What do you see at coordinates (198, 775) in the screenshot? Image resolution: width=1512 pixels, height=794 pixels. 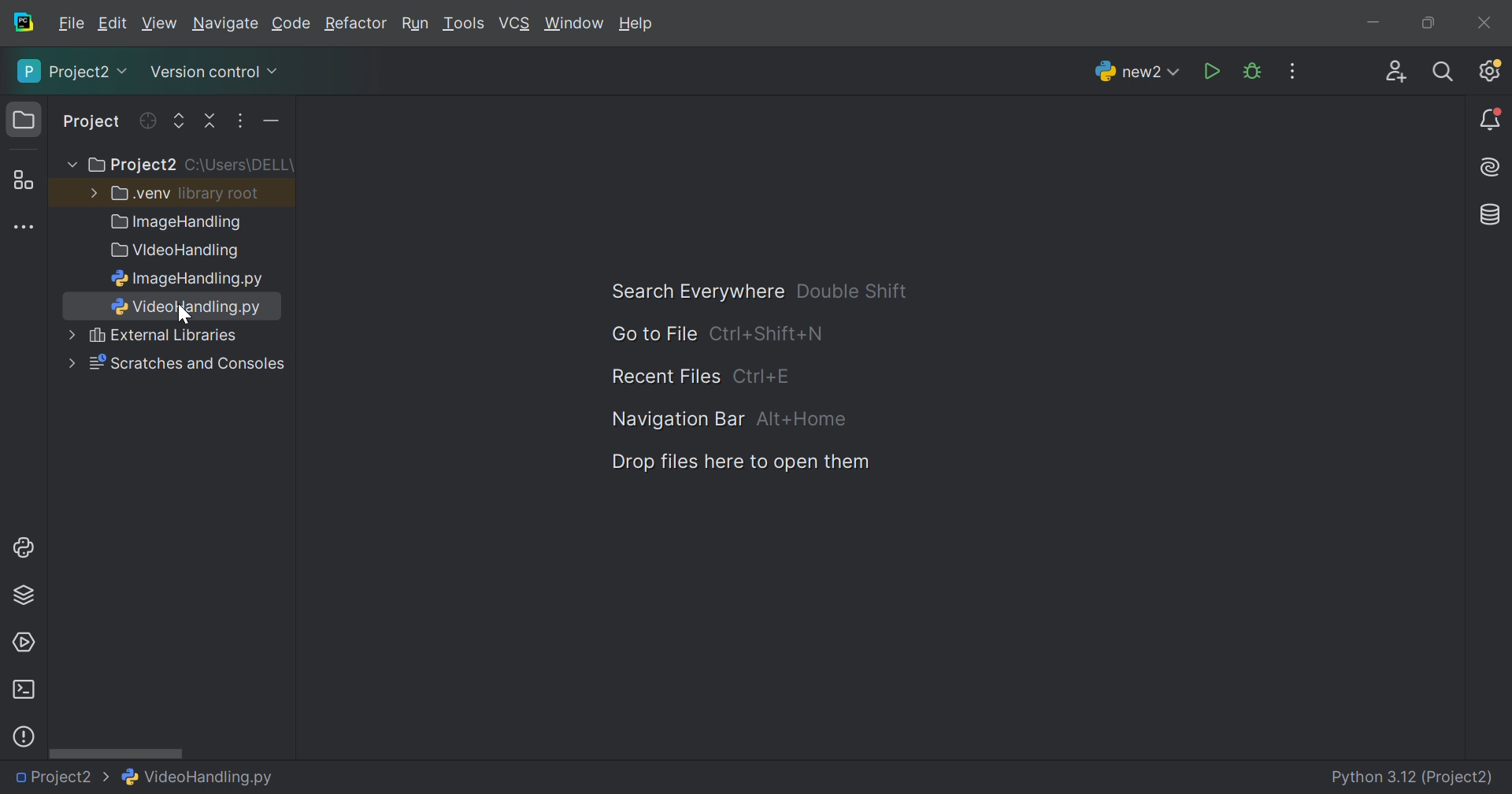 I see `VideoHandling.py` at bounding box center [198, 775].